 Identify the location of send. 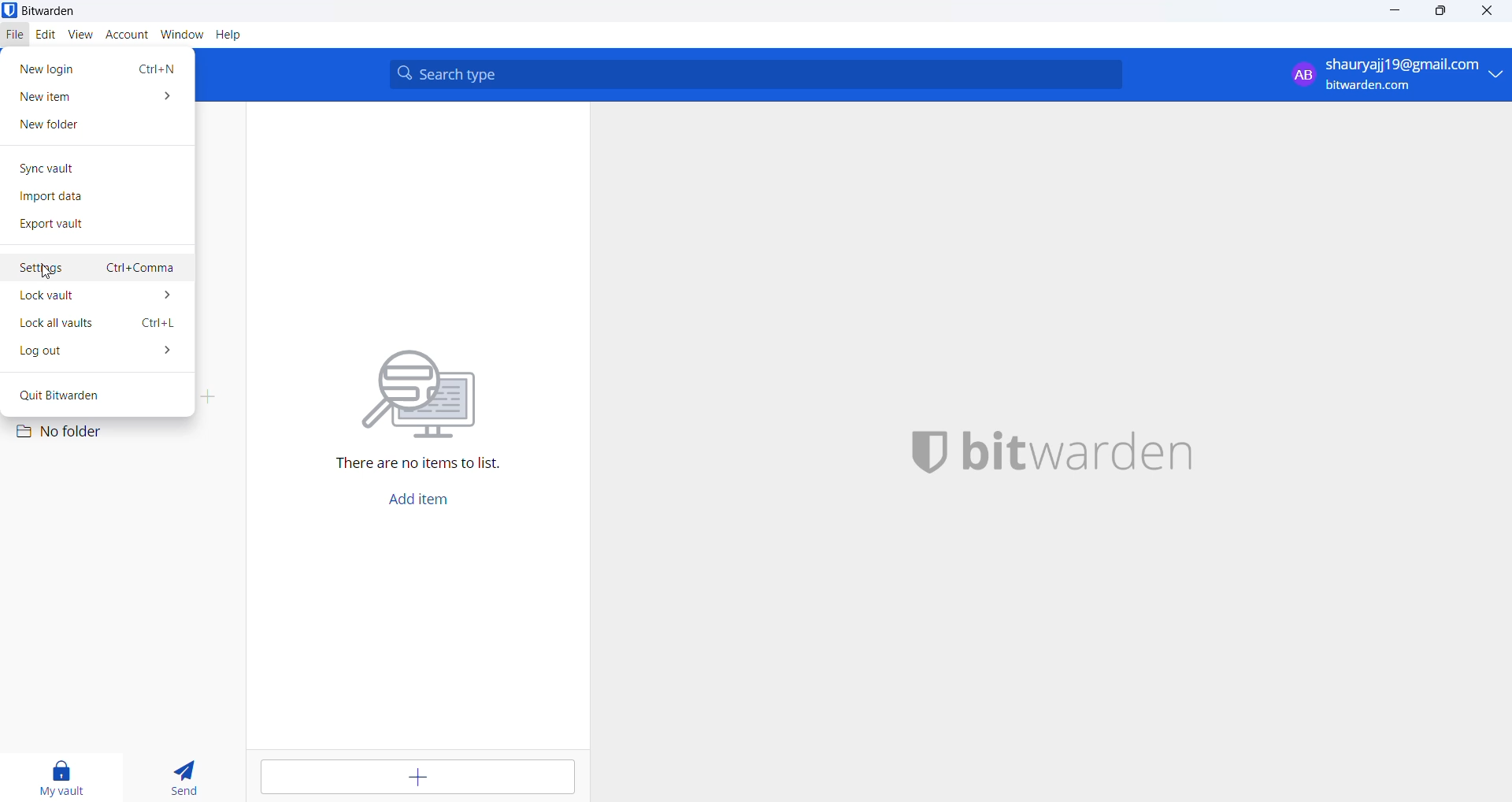
(191, 774).